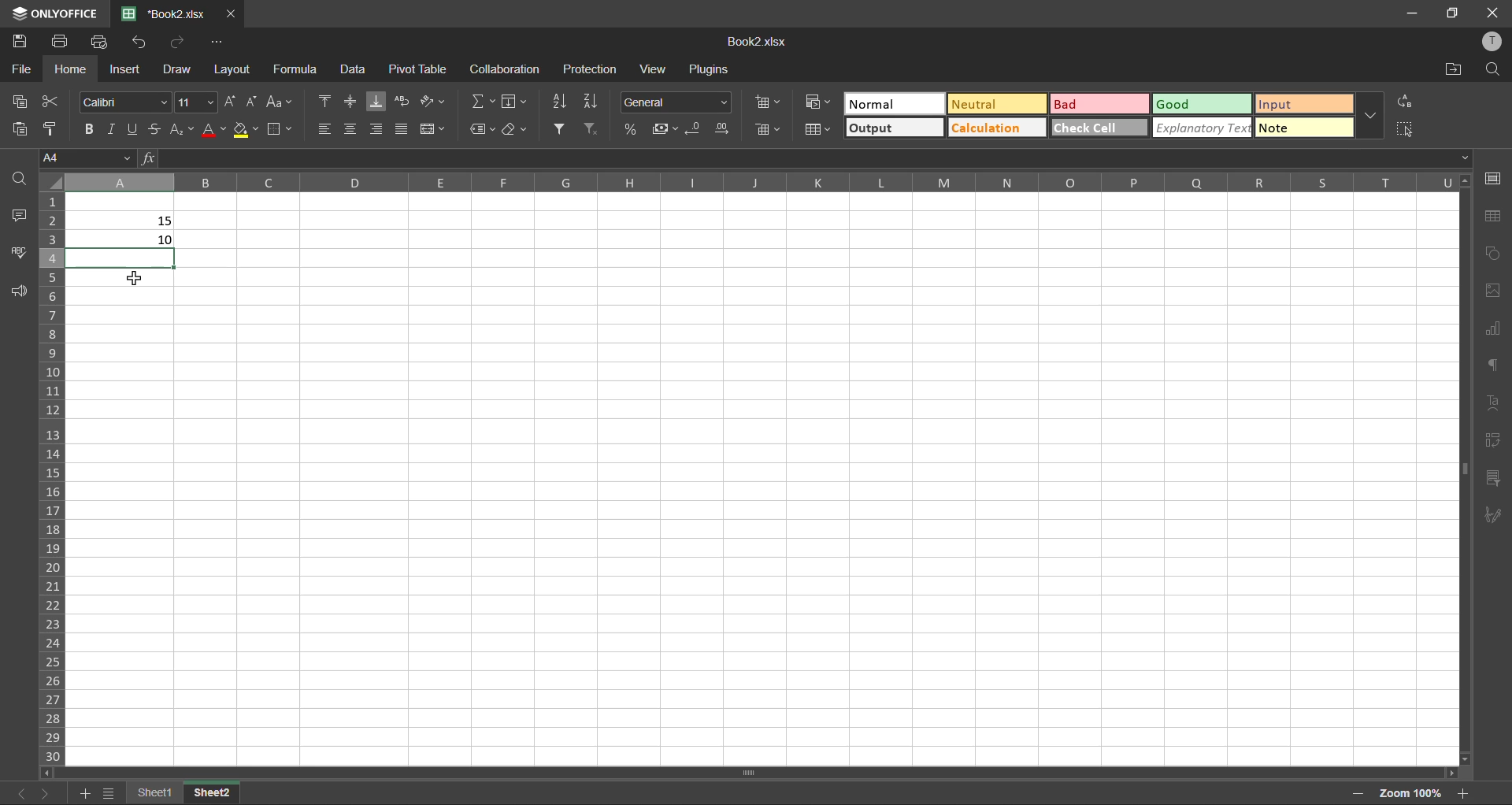 The image size is (1512, 805). I want to click on cell settings, so click(1492, 177).